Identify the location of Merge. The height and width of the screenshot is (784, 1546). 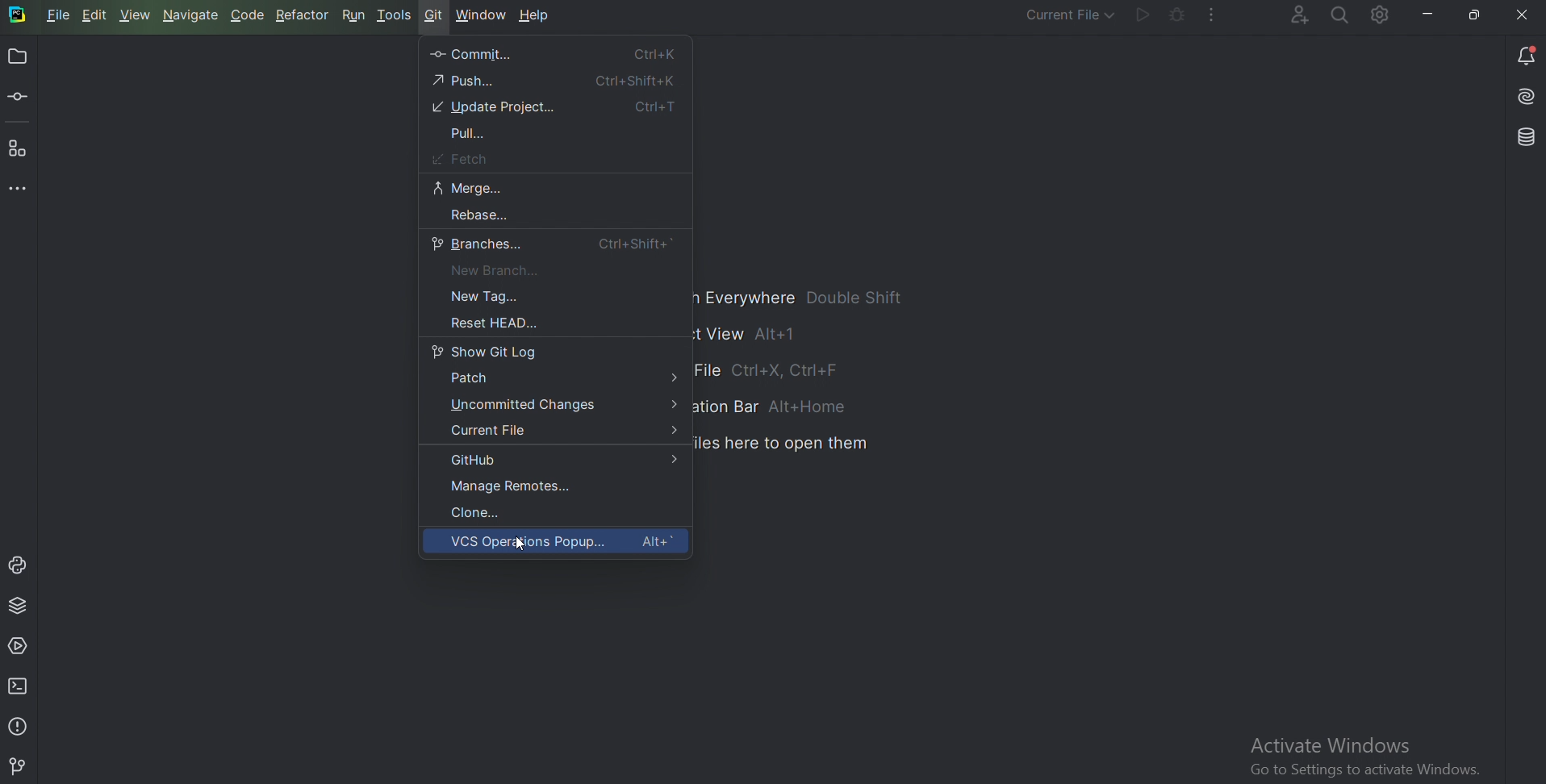
(469, 188).